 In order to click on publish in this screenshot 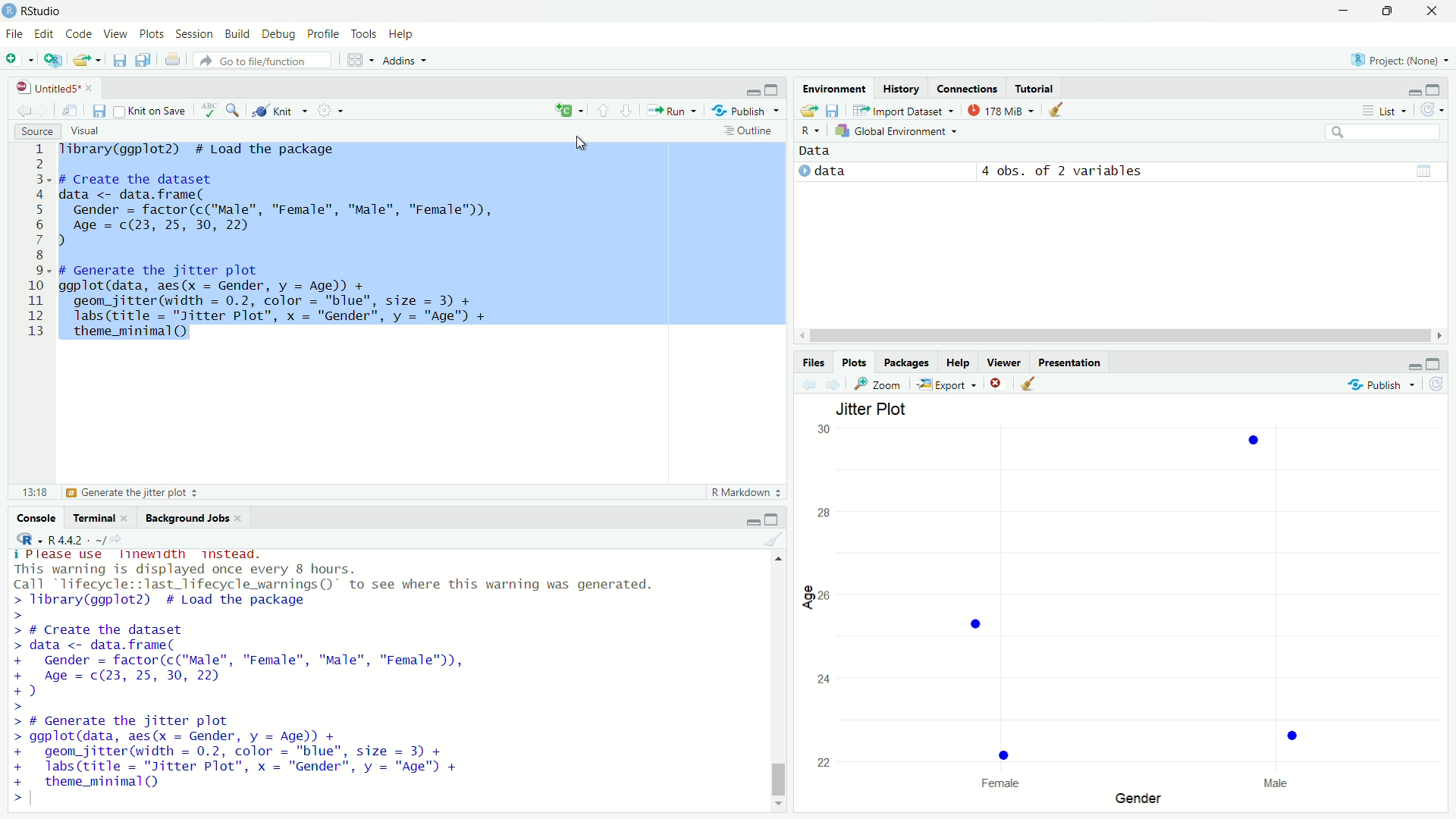, I will do `click(748, 110)`.